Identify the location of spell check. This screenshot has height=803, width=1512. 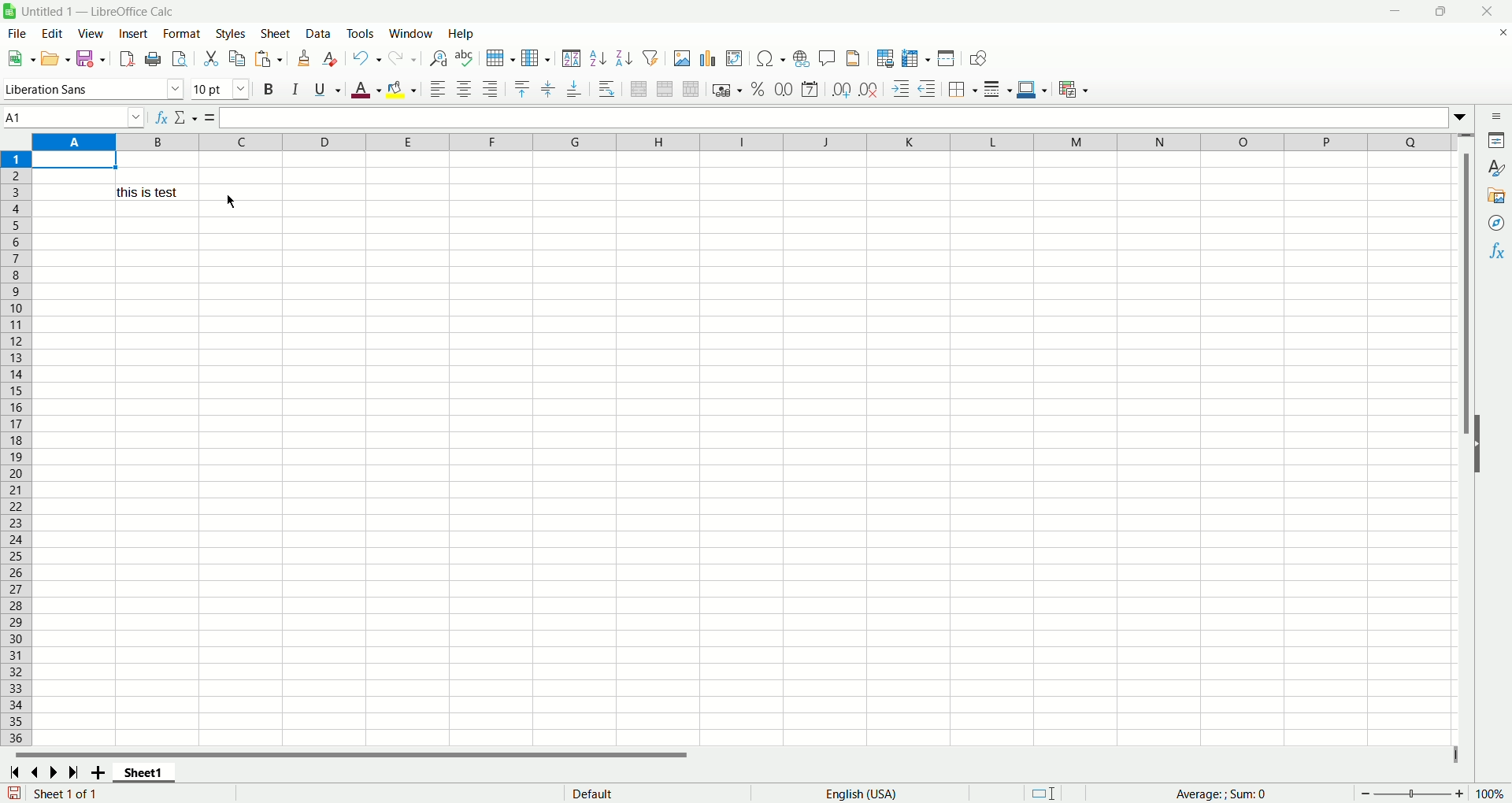
(467, 58).